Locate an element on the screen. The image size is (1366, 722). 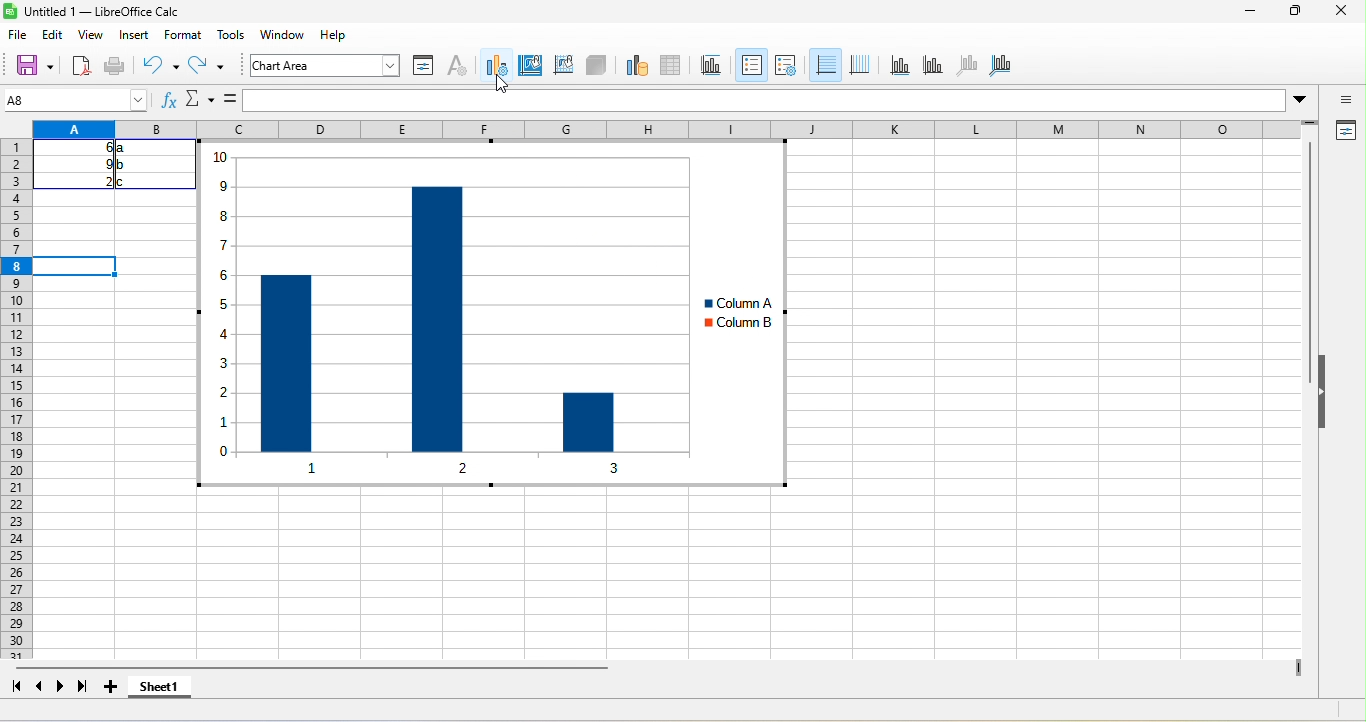
name box is located at coordinates (199, 101).